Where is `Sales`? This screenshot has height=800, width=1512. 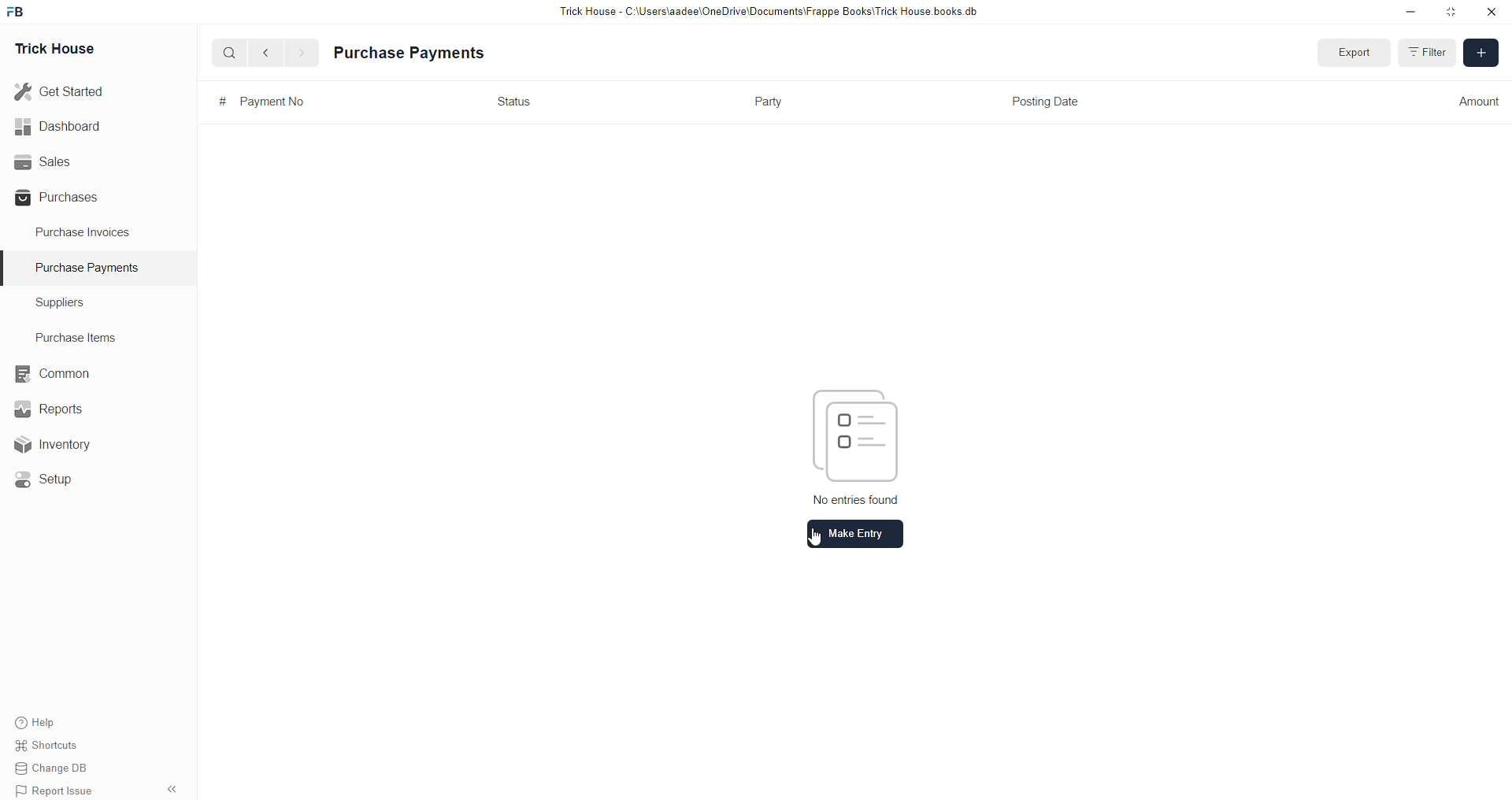 Sales is located at coordinates (41, 160).